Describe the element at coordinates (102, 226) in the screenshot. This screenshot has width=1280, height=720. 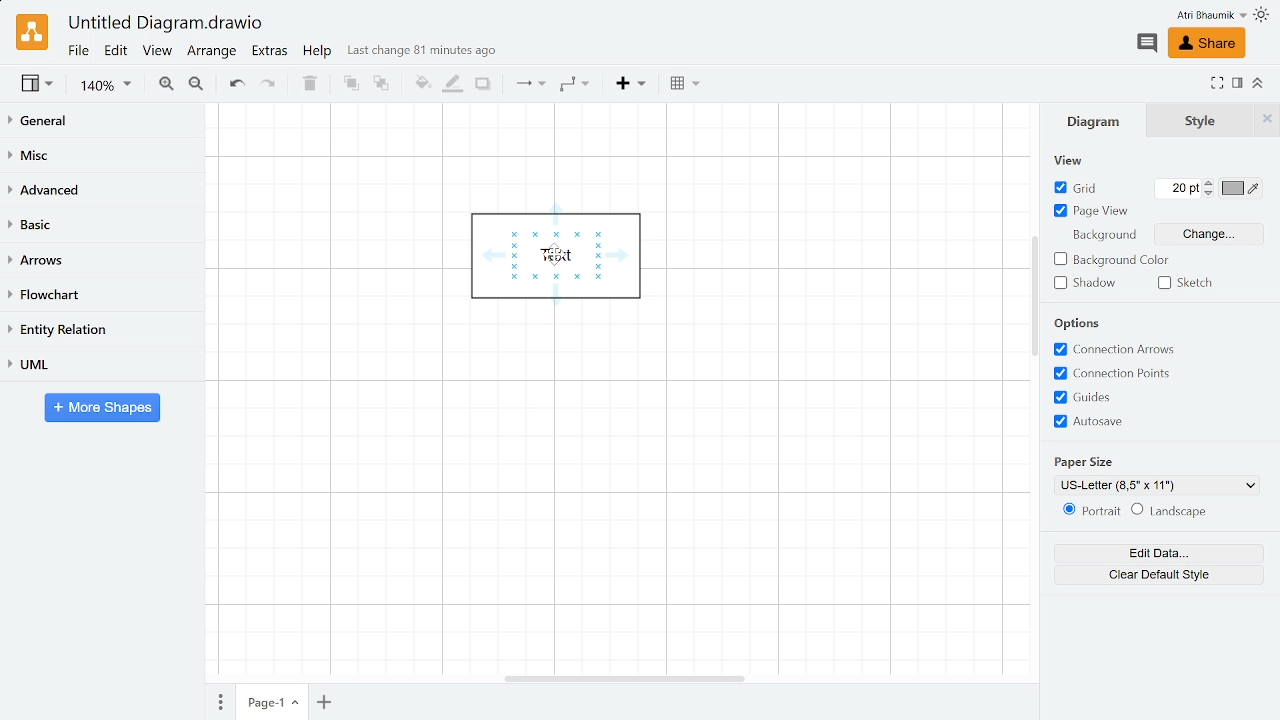
I see `basic` at that location.